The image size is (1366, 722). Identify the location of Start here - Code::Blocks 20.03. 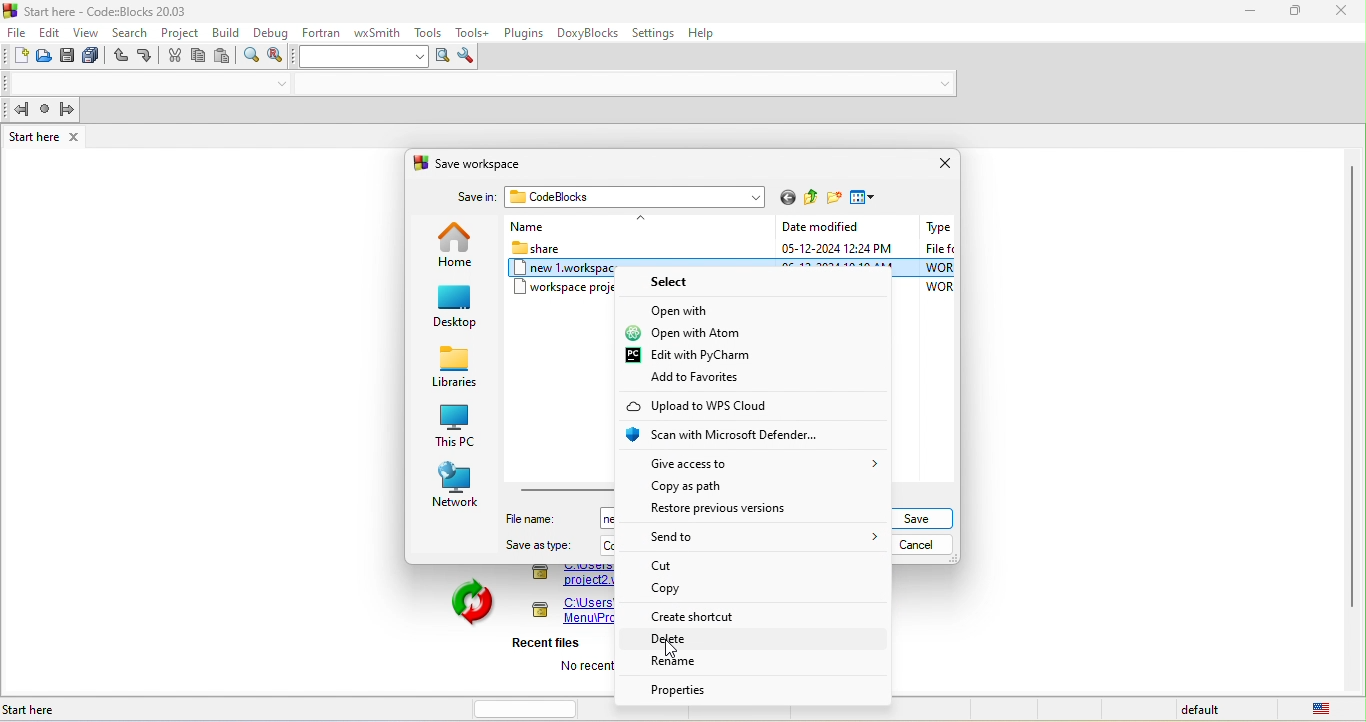
(98, 10).